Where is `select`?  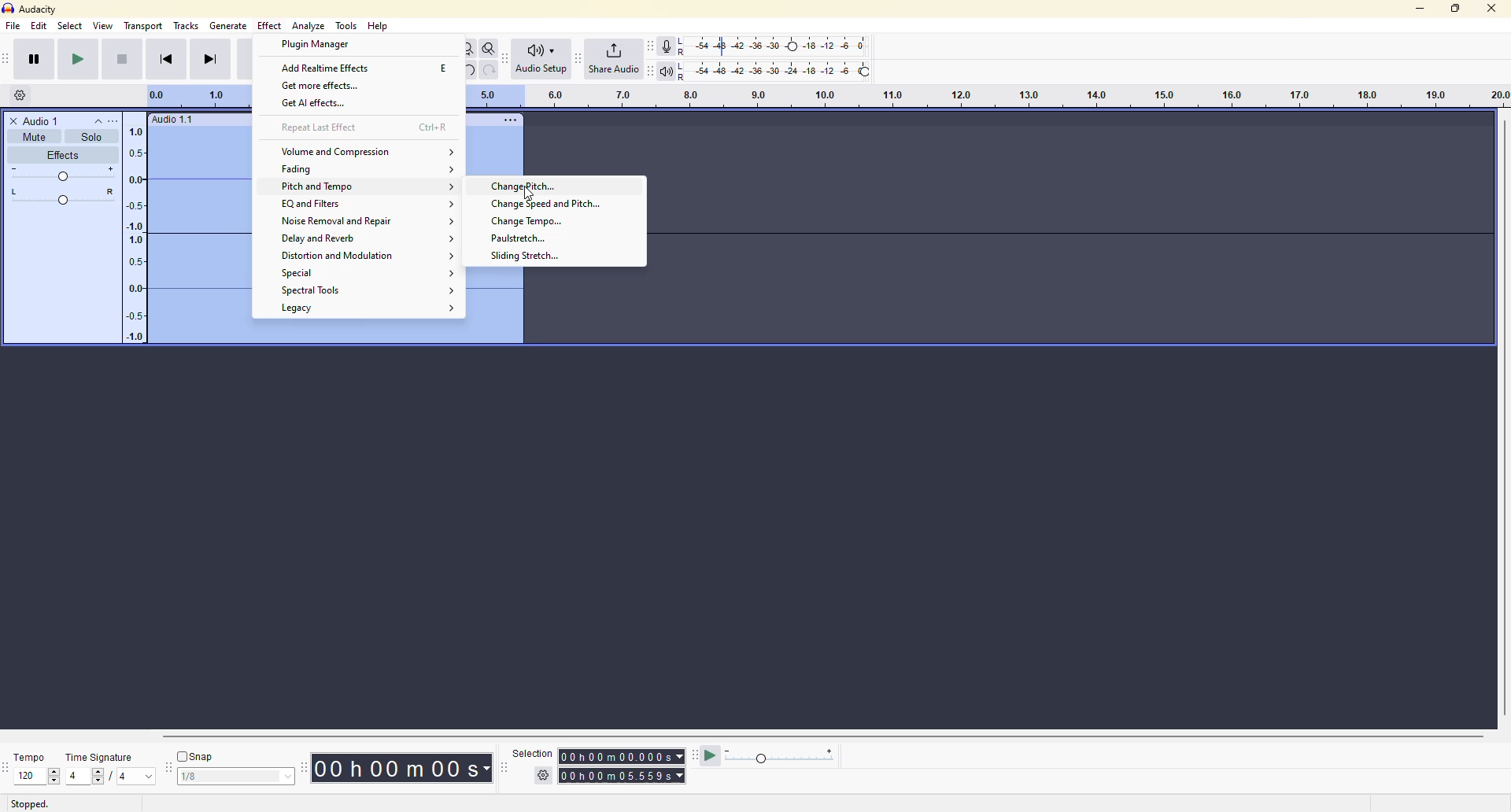 select is located at coordinates (284, 777).